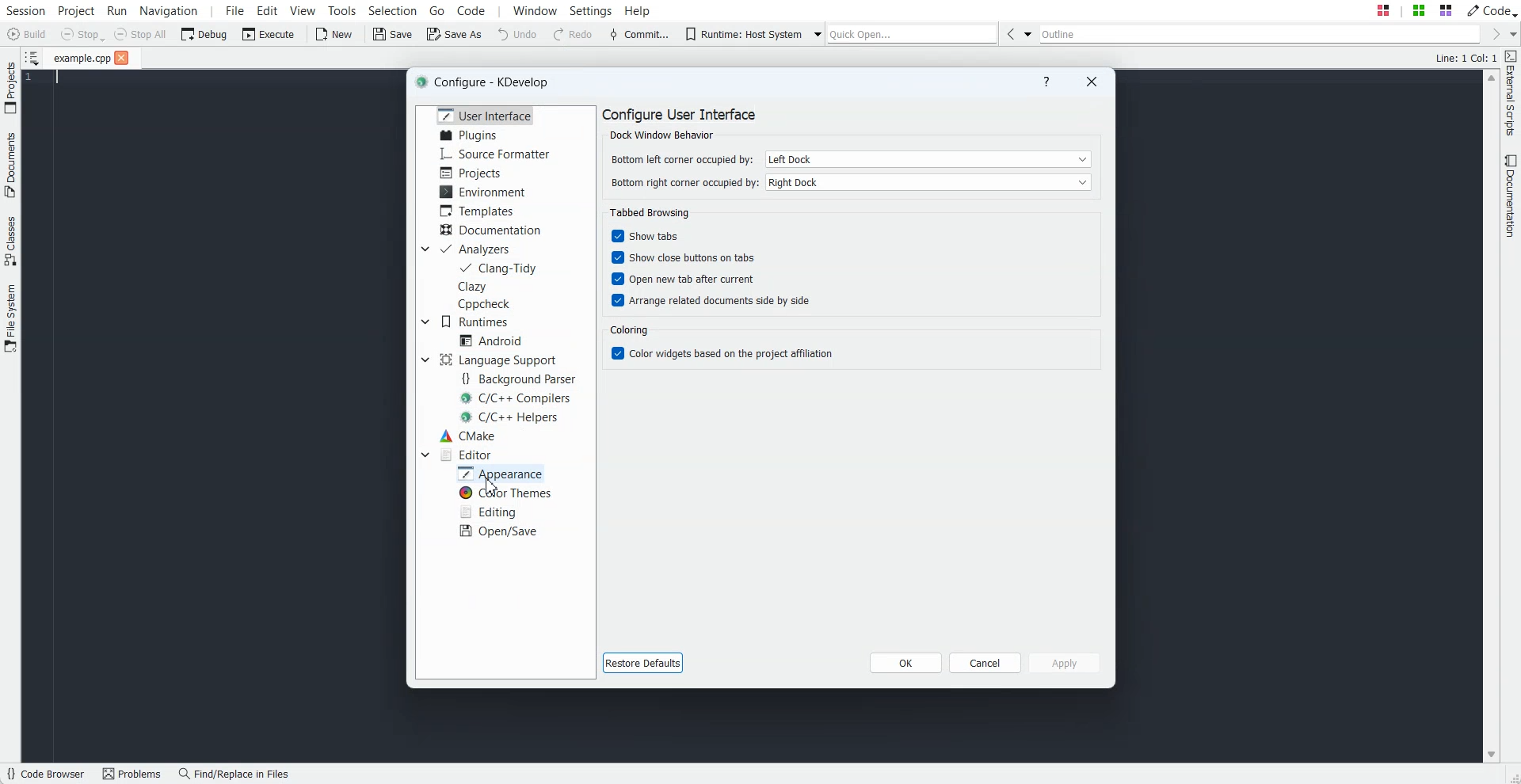 The height and width of the screenshot is (784, 1521). I want to click on Enable Show tabs, so click(647, 236).